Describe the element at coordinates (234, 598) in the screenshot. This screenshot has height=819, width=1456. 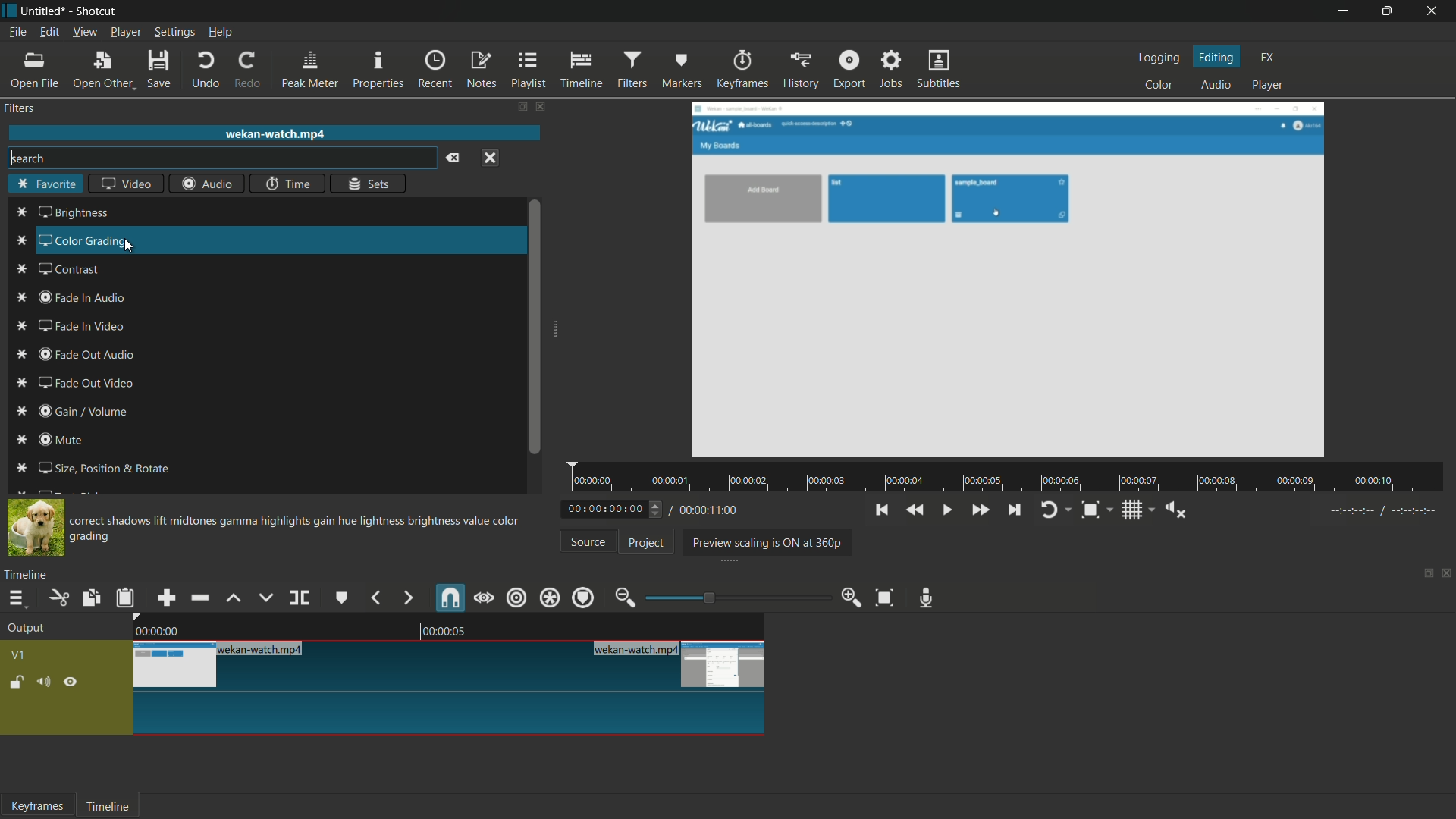
I see `lift` at that location.